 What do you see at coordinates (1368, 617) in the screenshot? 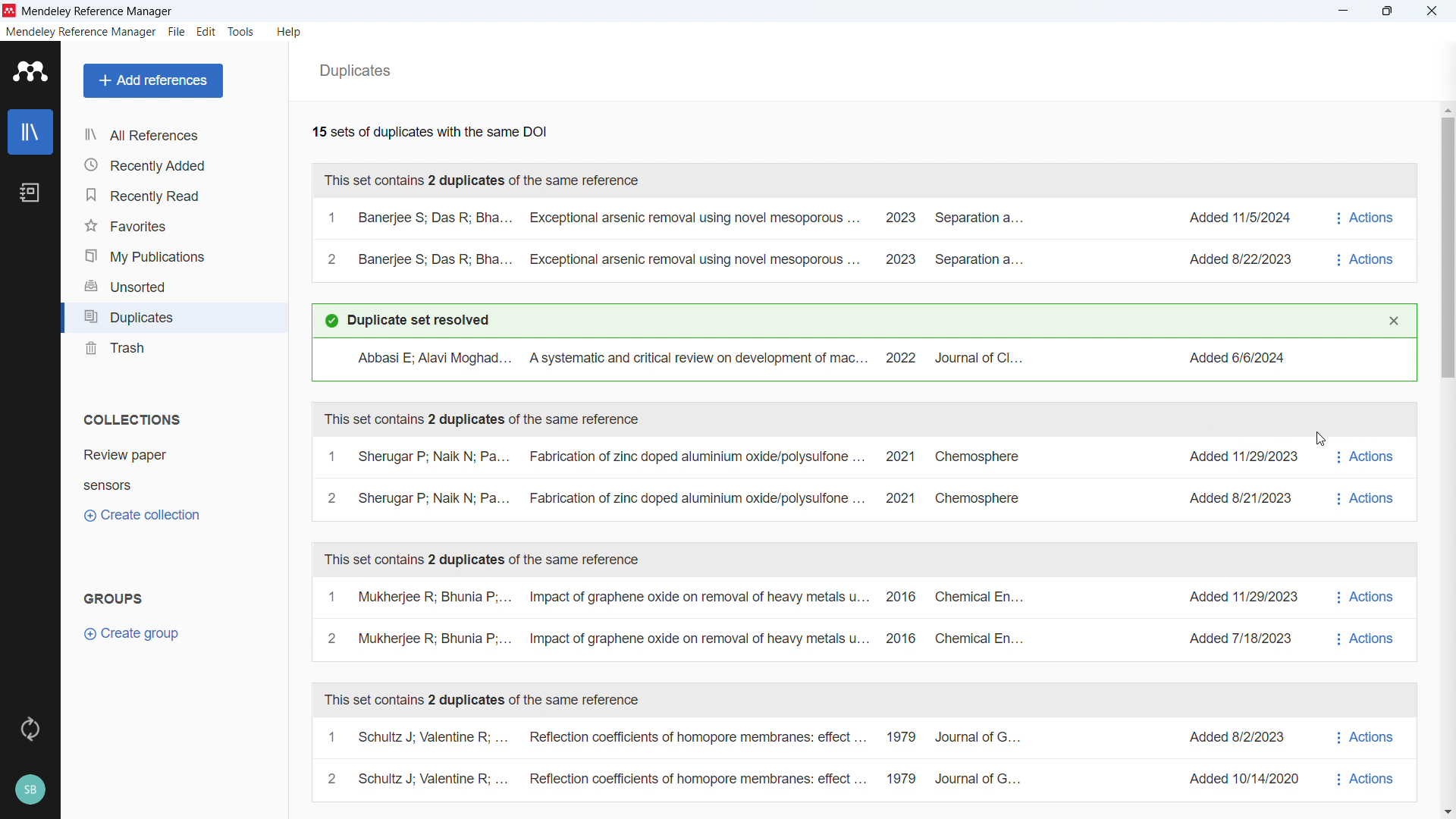
I see `actions` at bounding box center [1368, 617].